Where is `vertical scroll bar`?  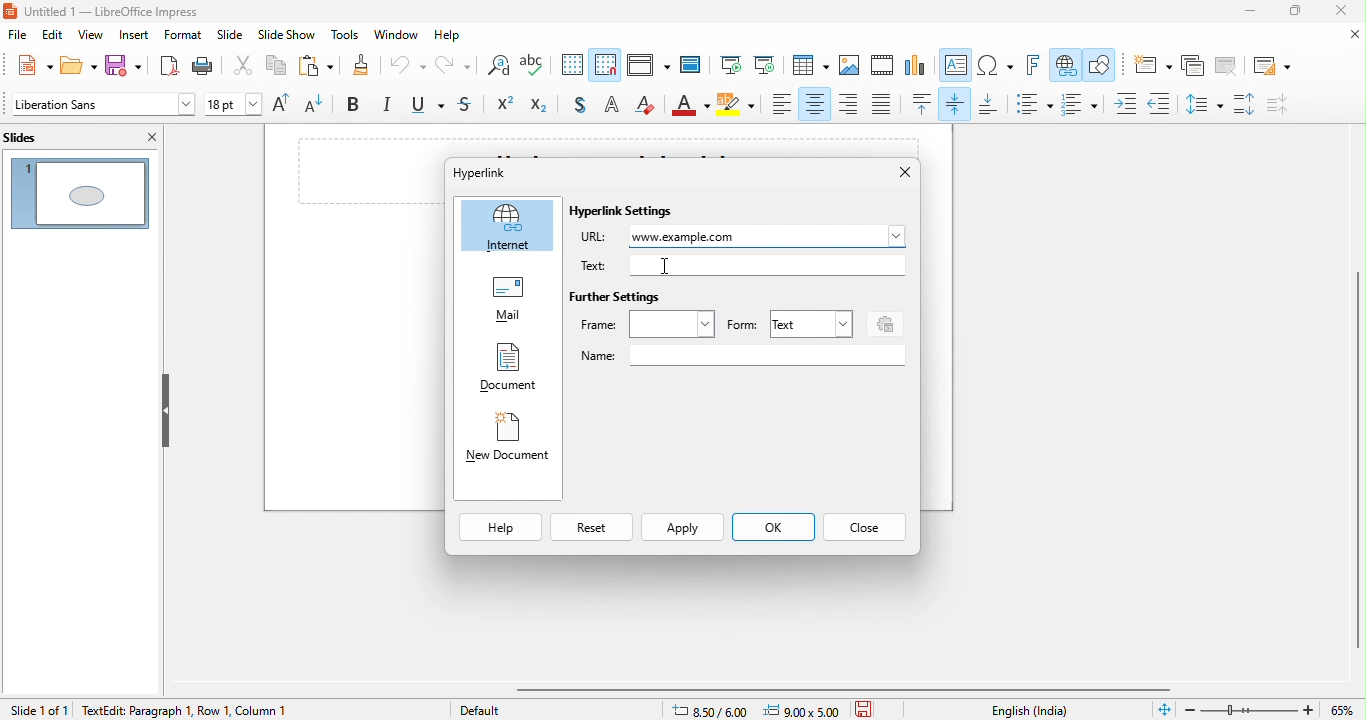
vertical scroll bar is located at coordinates (1355, 448).